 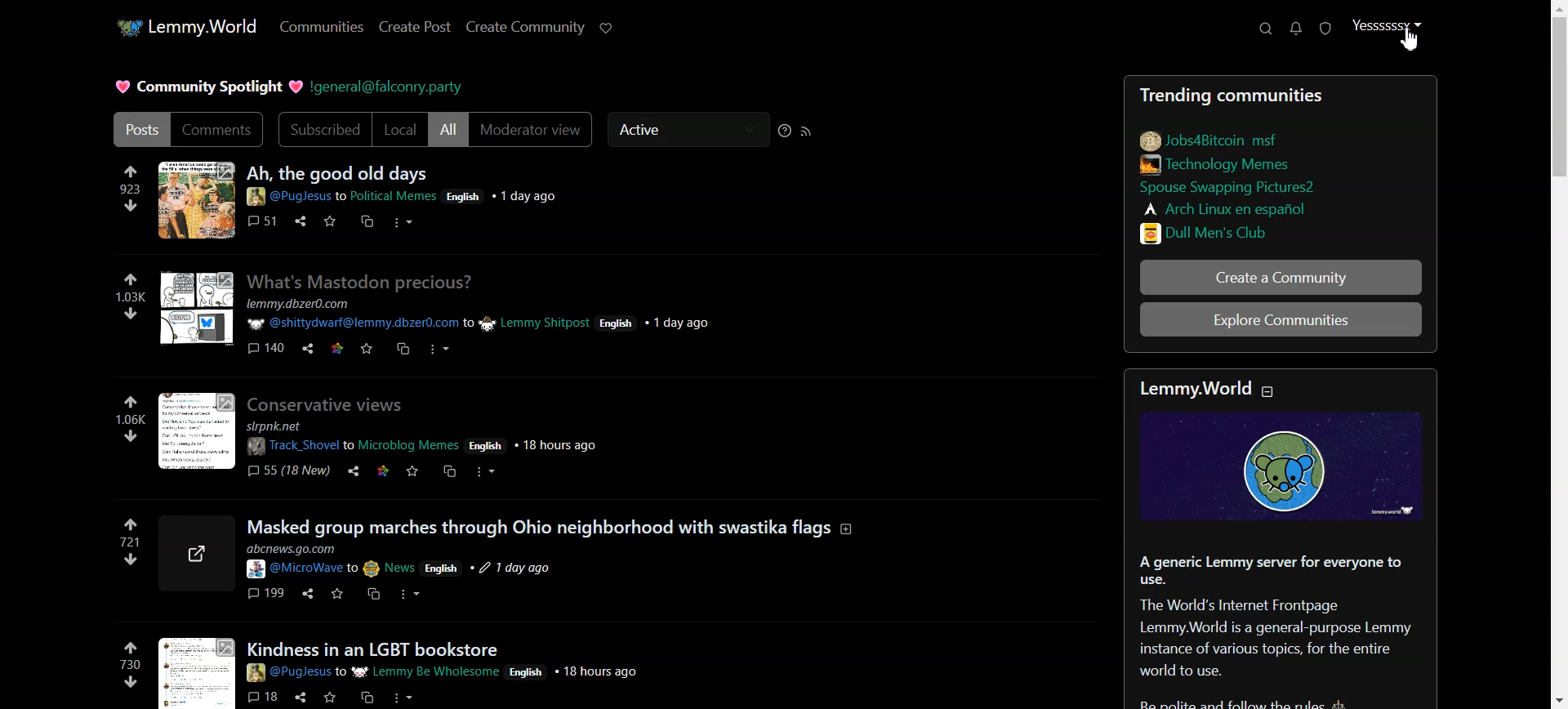 What do you see at coordinates (134, 187) in the screenshot?
I see `numbers` at bounding box center [134, 187].